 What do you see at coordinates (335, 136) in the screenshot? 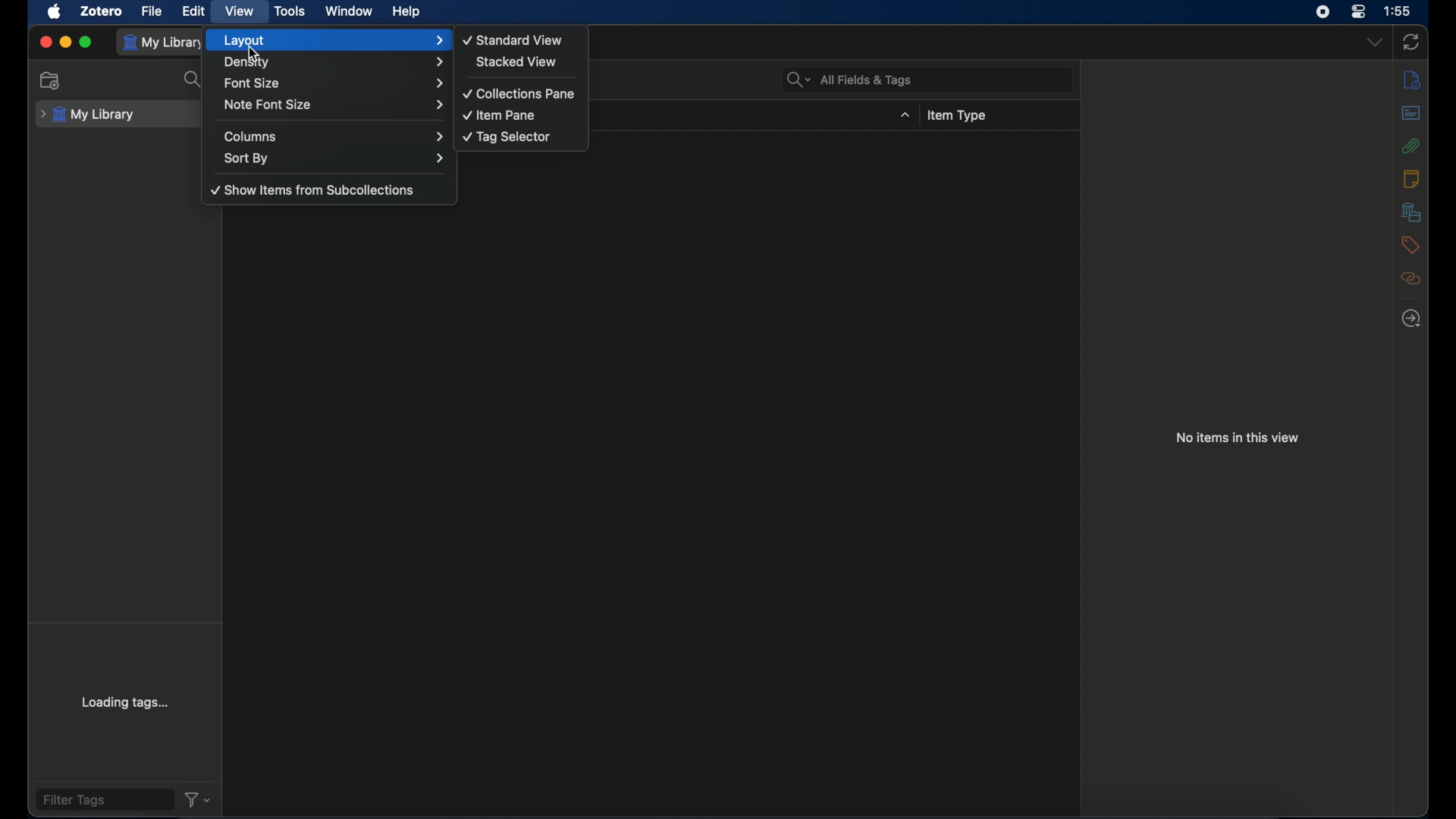
I see `columns` at bounding box center [335, 136].